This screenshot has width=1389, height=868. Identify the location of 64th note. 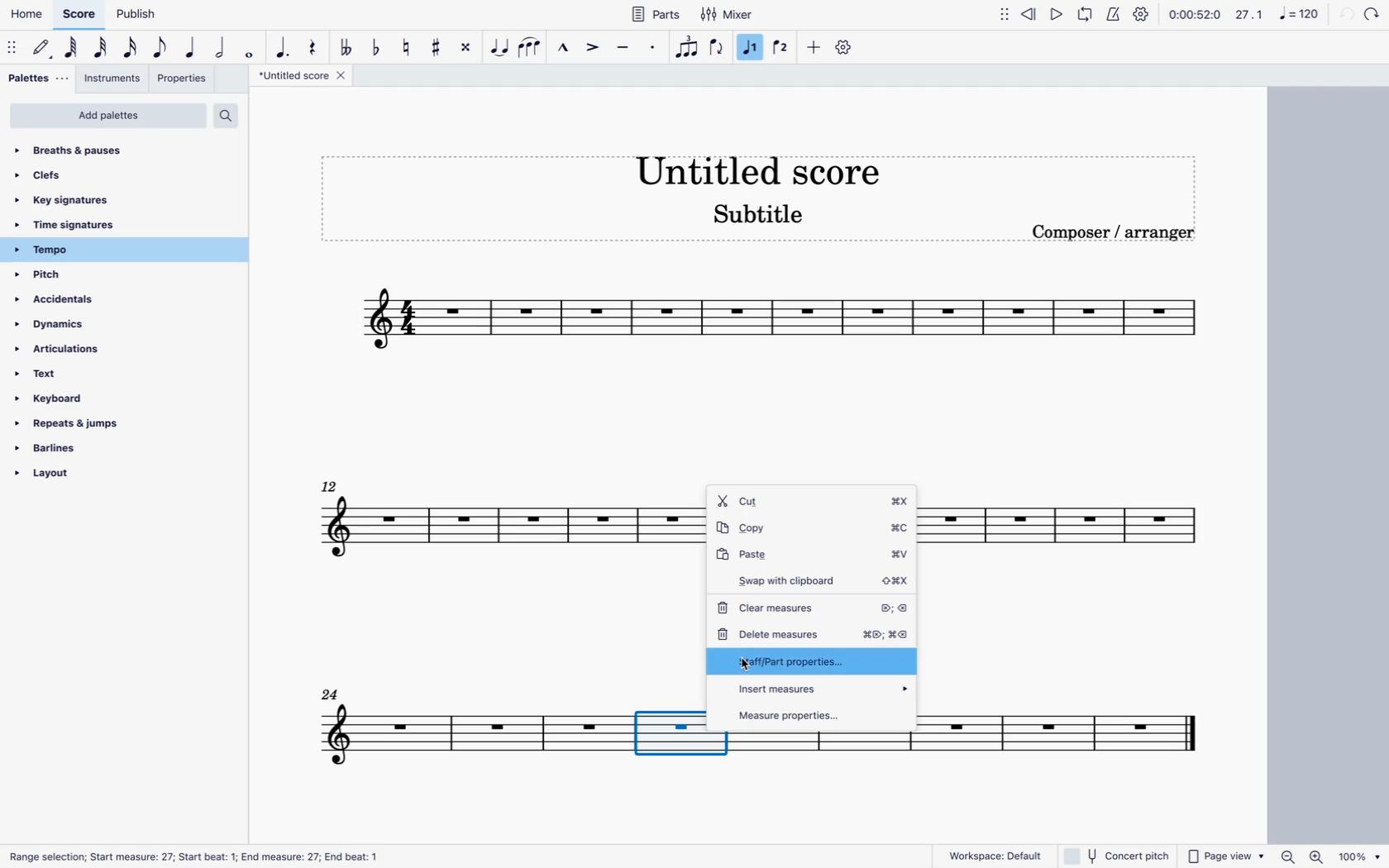
(73, 48).